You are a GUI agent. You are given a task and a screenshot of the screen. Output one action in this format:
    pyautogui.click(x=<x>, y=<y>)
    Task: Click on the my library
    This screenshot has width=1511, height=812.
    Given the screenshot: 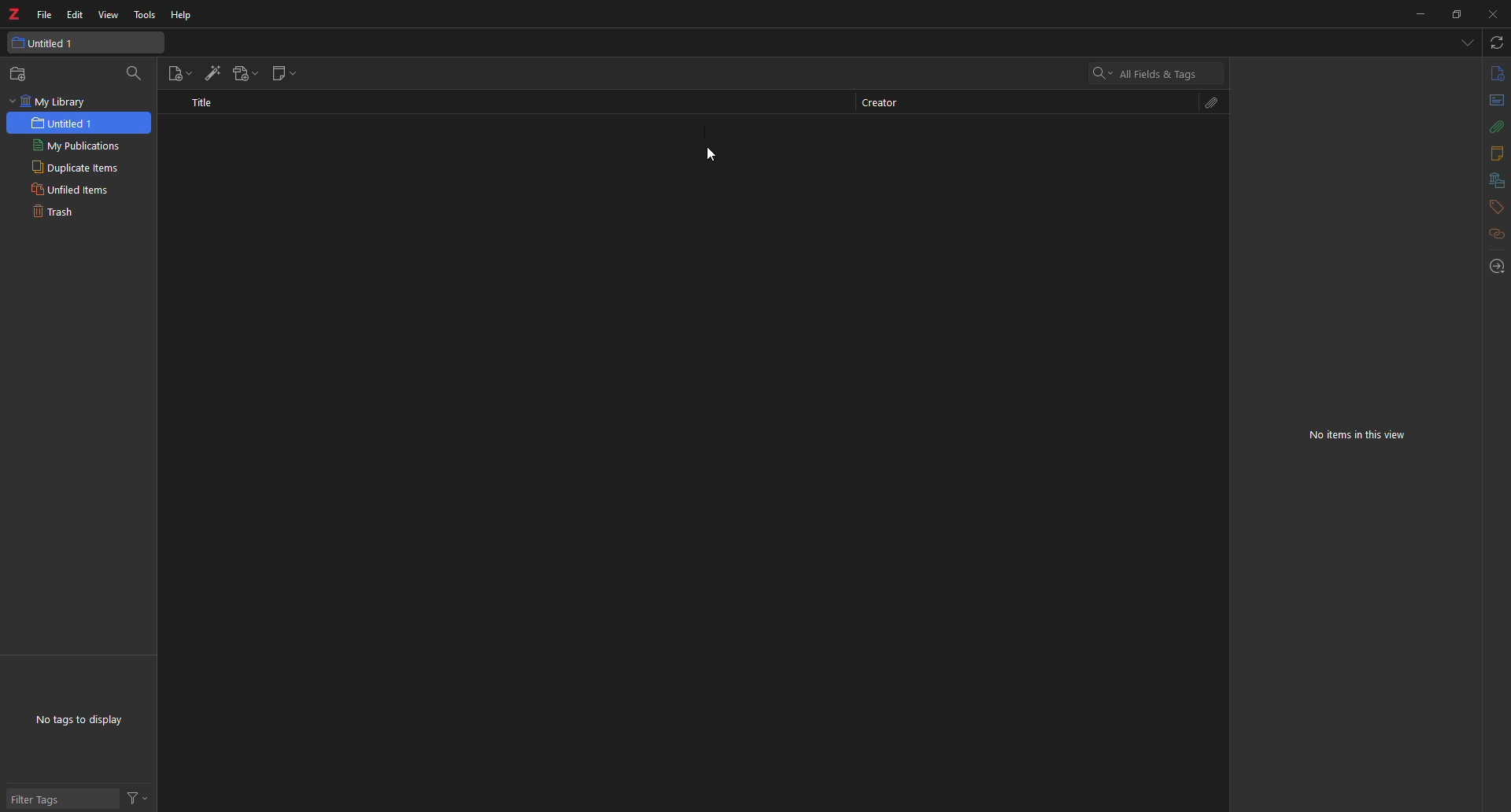 What is the action you would take?
    pyautogui.click(x=51, y=101)
    